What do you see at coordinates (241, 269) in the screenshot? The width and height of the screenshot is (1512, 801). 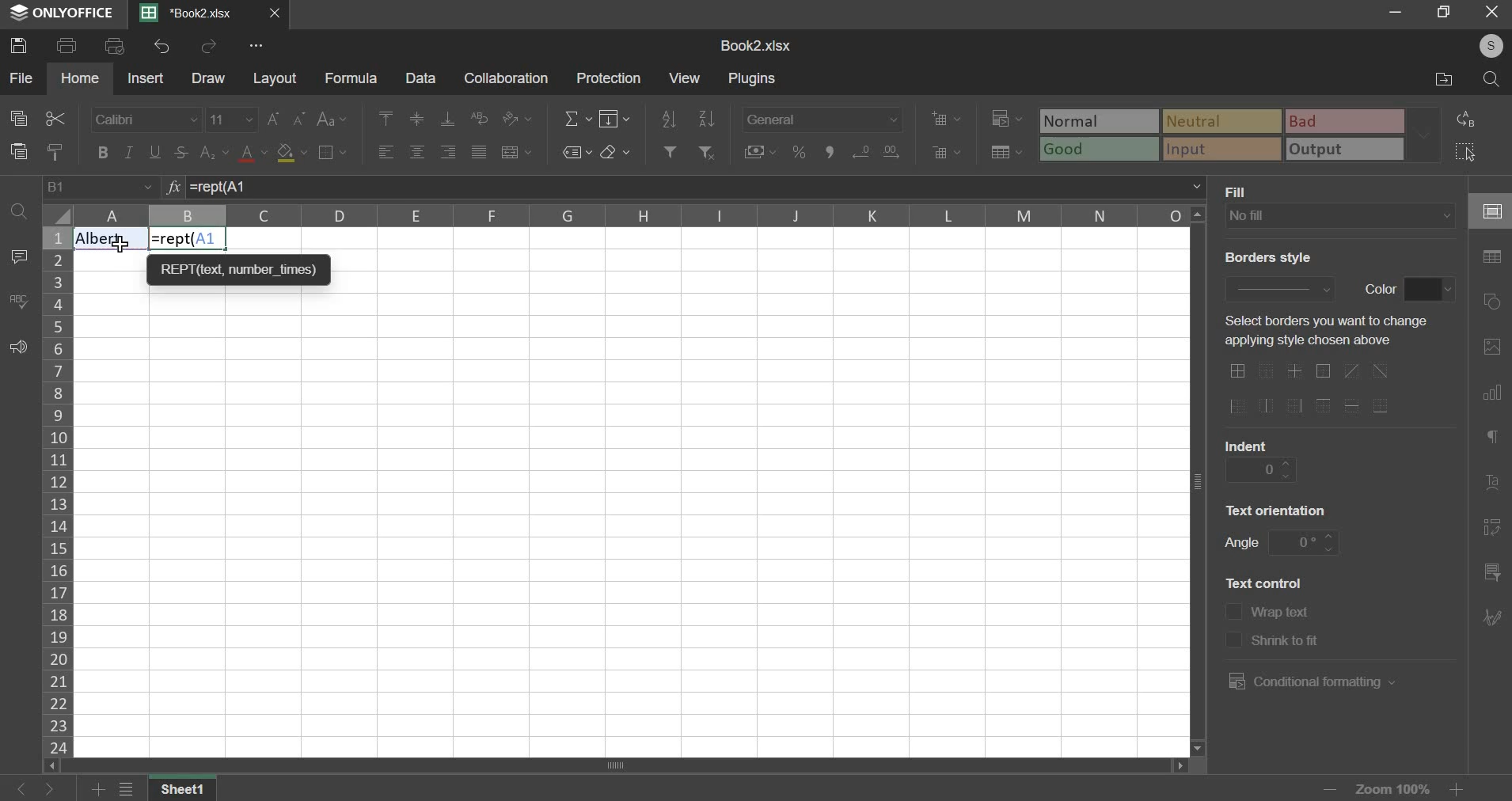 I see `REPT(text, number_times)` at bounding box center [241, 269].